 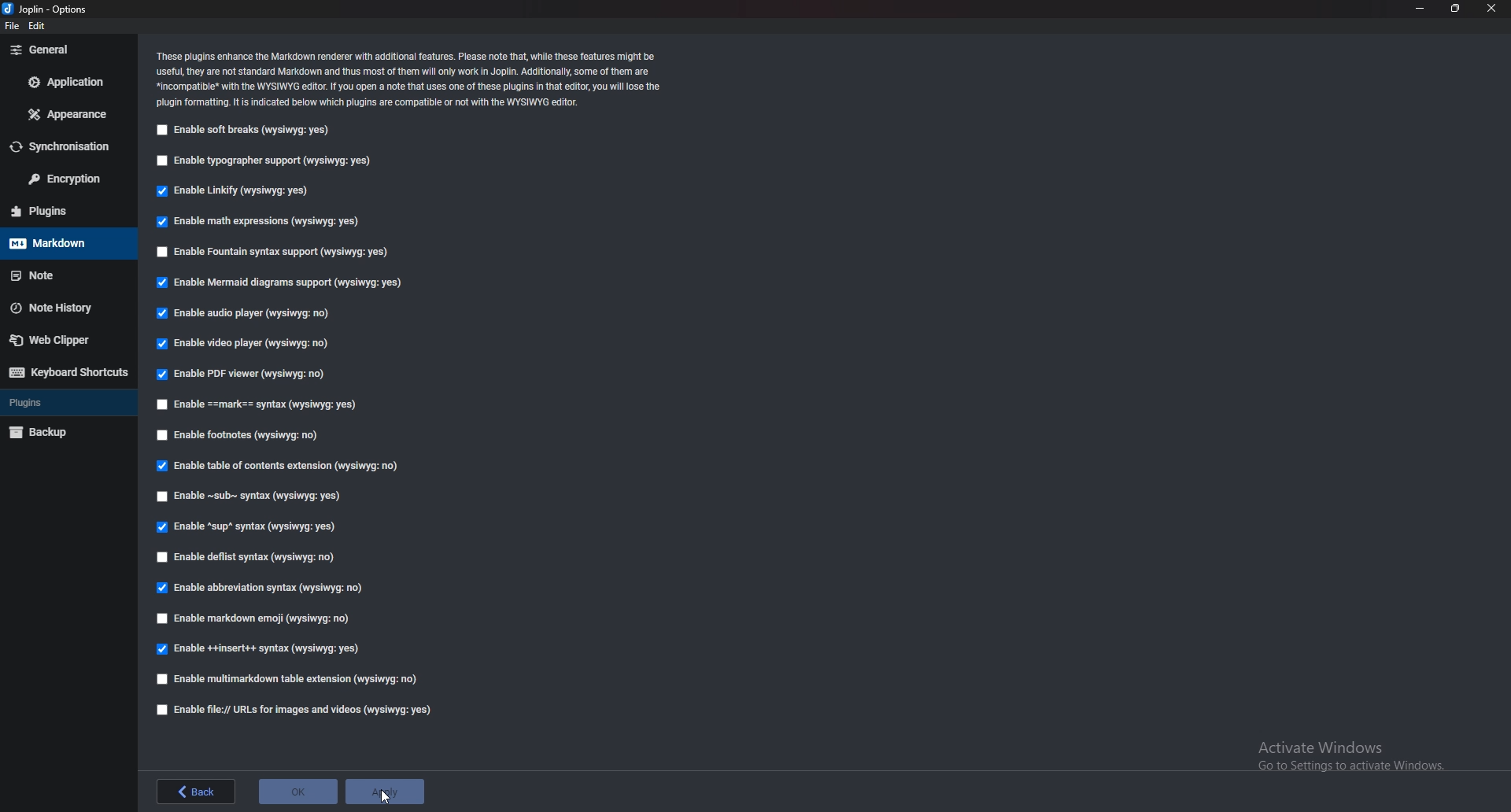 I want to click on General, so click(x=65, y=50).